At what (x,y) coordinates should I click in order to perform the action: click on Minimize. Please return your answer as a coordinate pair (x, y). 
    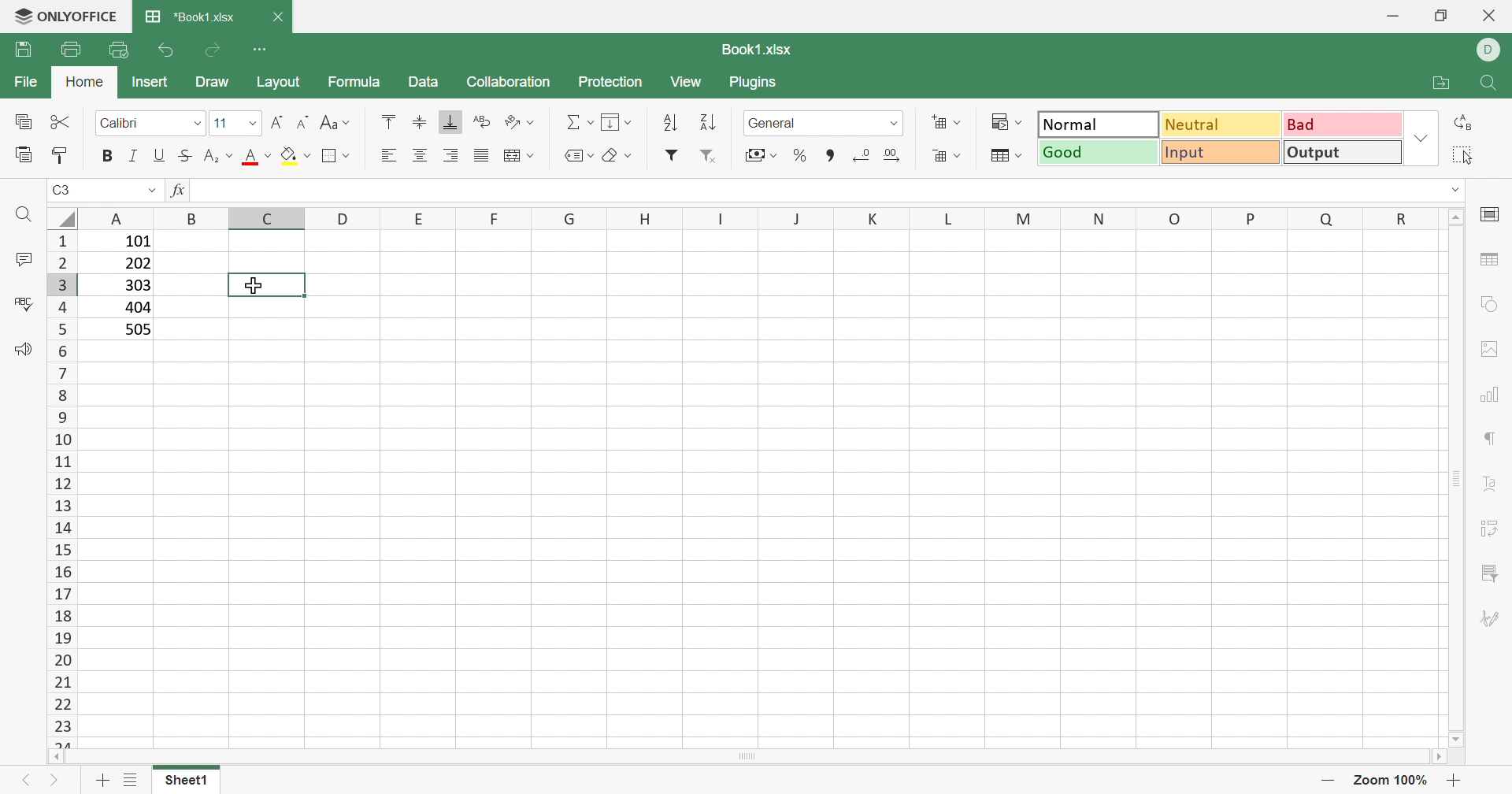
    Looking at the image, I should click on (1395, 13).